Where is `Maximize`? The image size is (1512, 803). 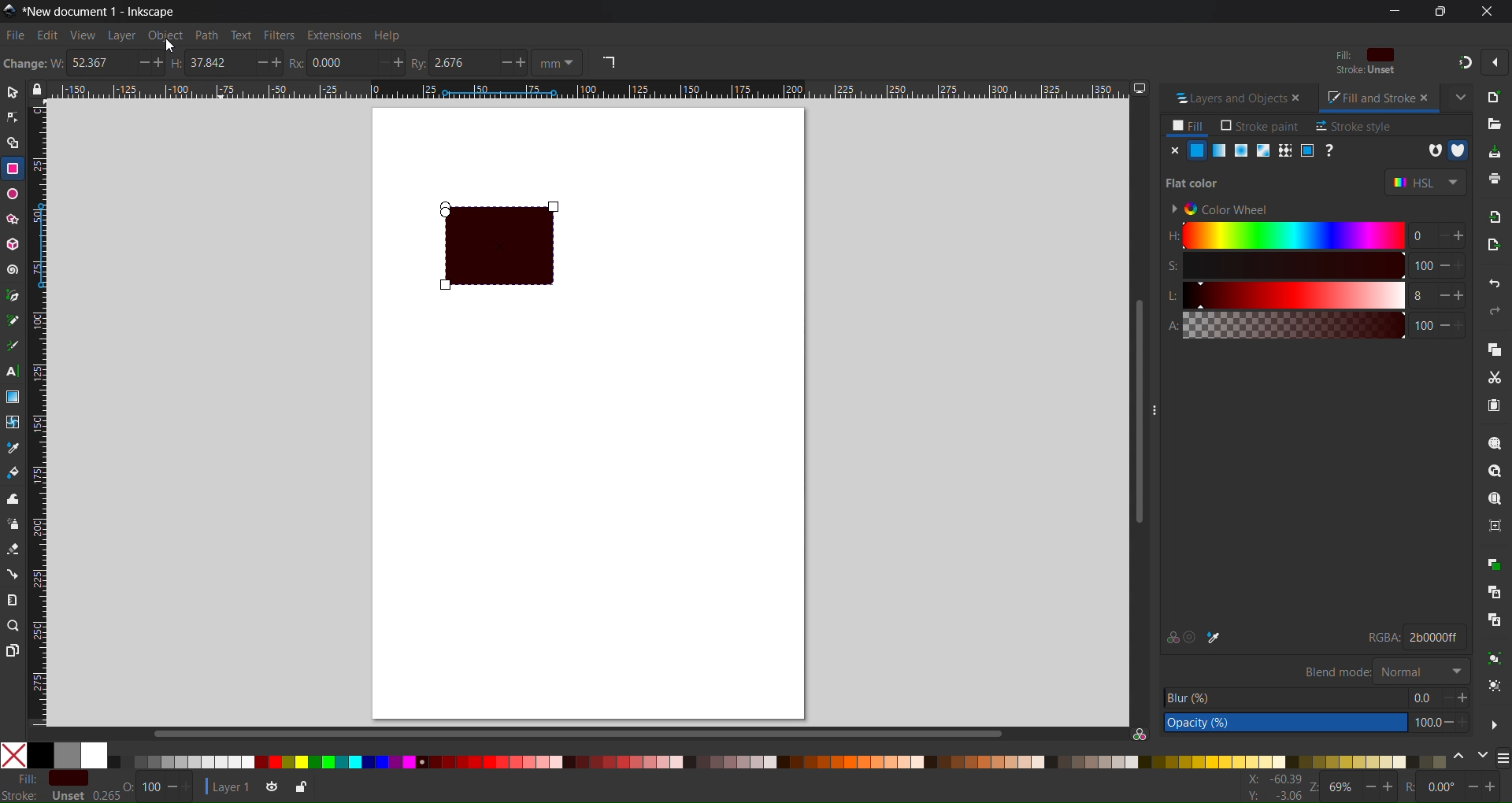 Maximize is located at coordinates (1439, 11).